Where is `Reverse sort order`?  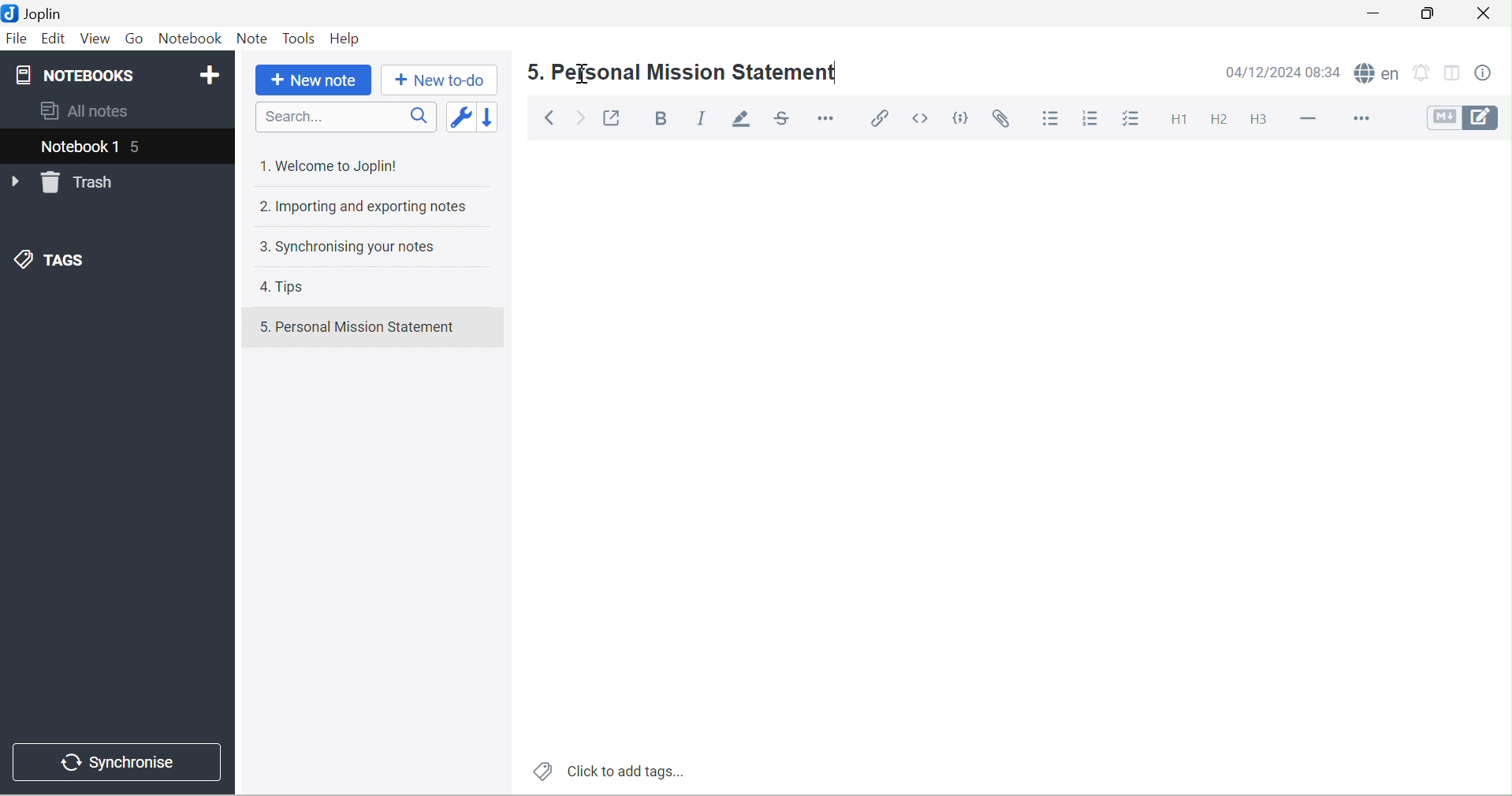 Reverse sort order is located at coordinates (488, 119).